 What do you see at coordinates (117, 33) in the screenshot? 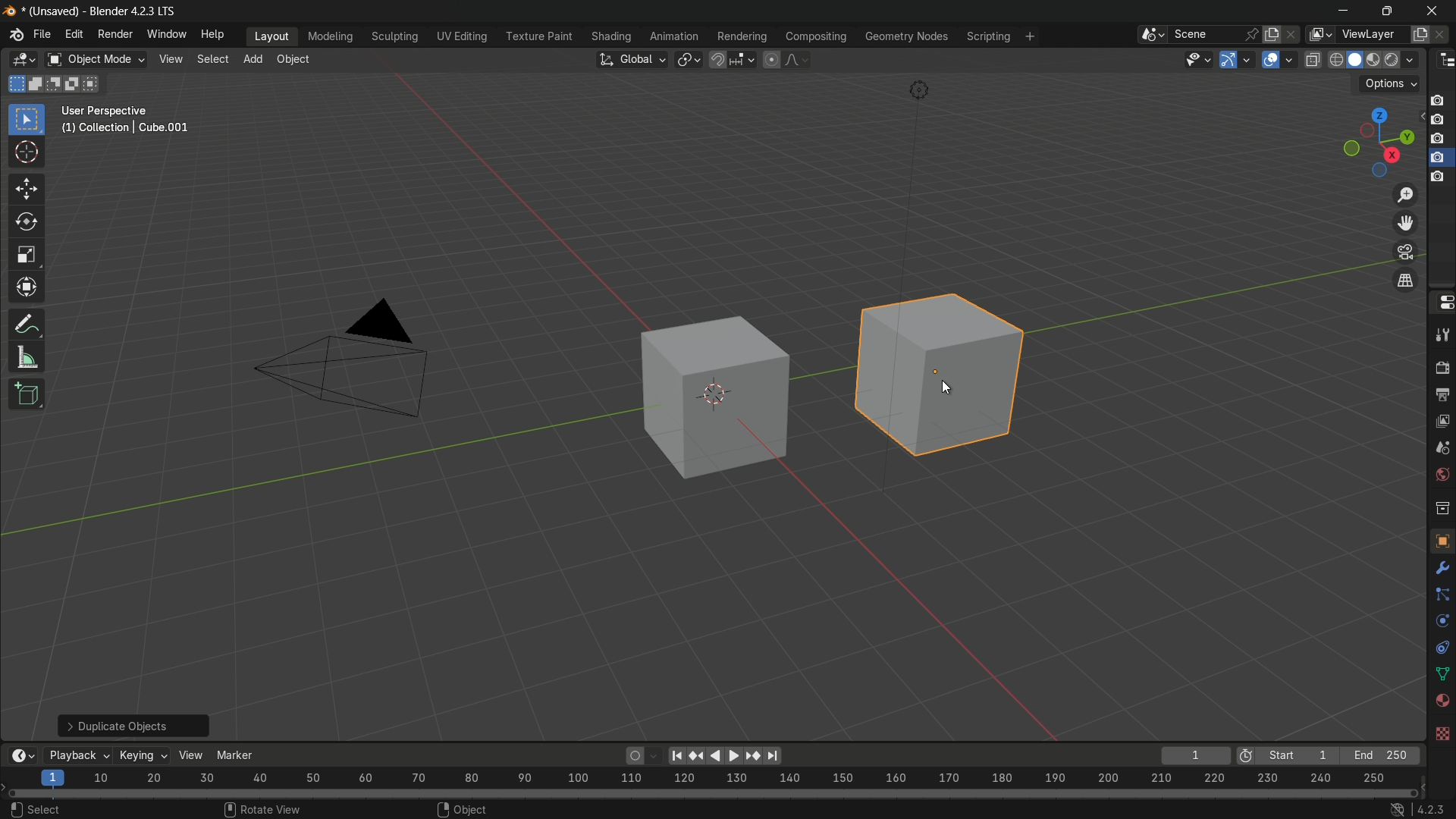
I see `render menu` at bounding box center [117, 33].